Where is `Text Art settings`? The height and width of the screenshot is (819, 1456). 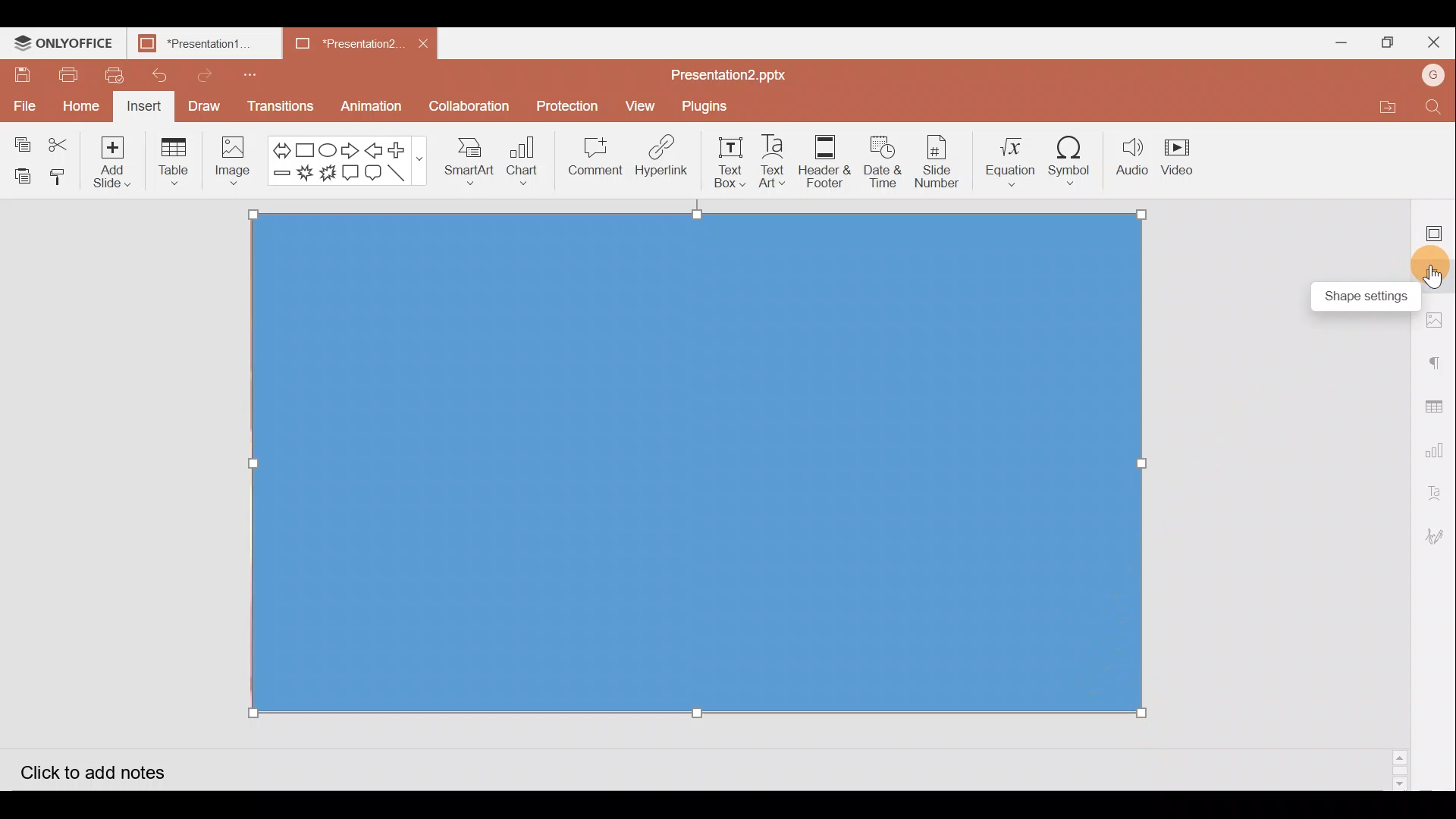
Text Art settings is located at coordinates (1441, 490).